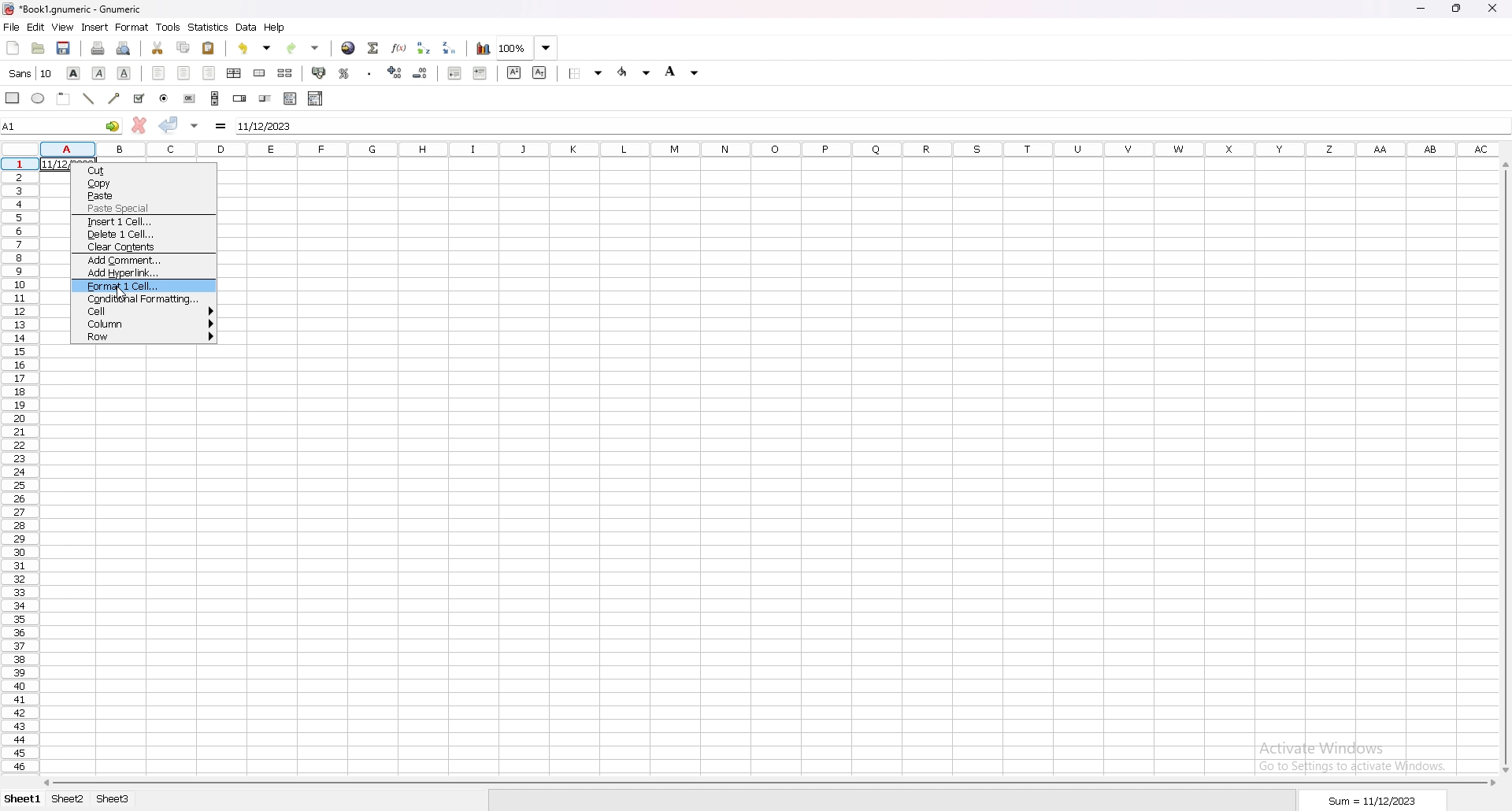  What do you see at coordinates (144, 196) in the screenshot?
I see `paste` at bounding box center [144, 196].